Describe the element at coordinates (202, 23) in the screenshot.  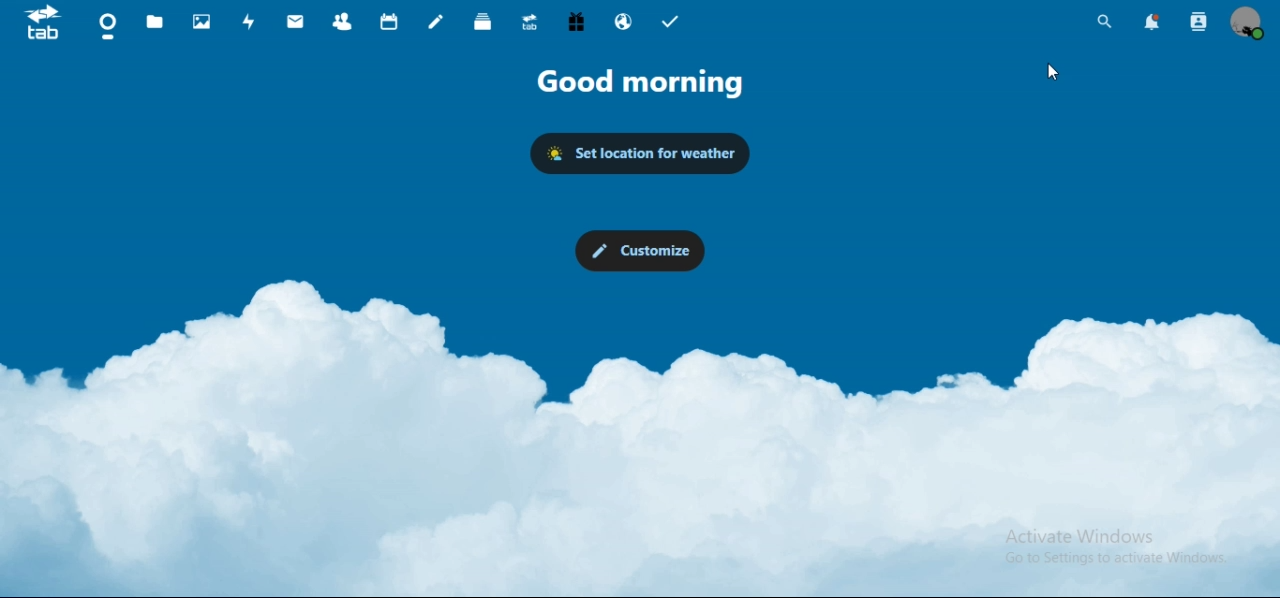
I see `photos` at that location.